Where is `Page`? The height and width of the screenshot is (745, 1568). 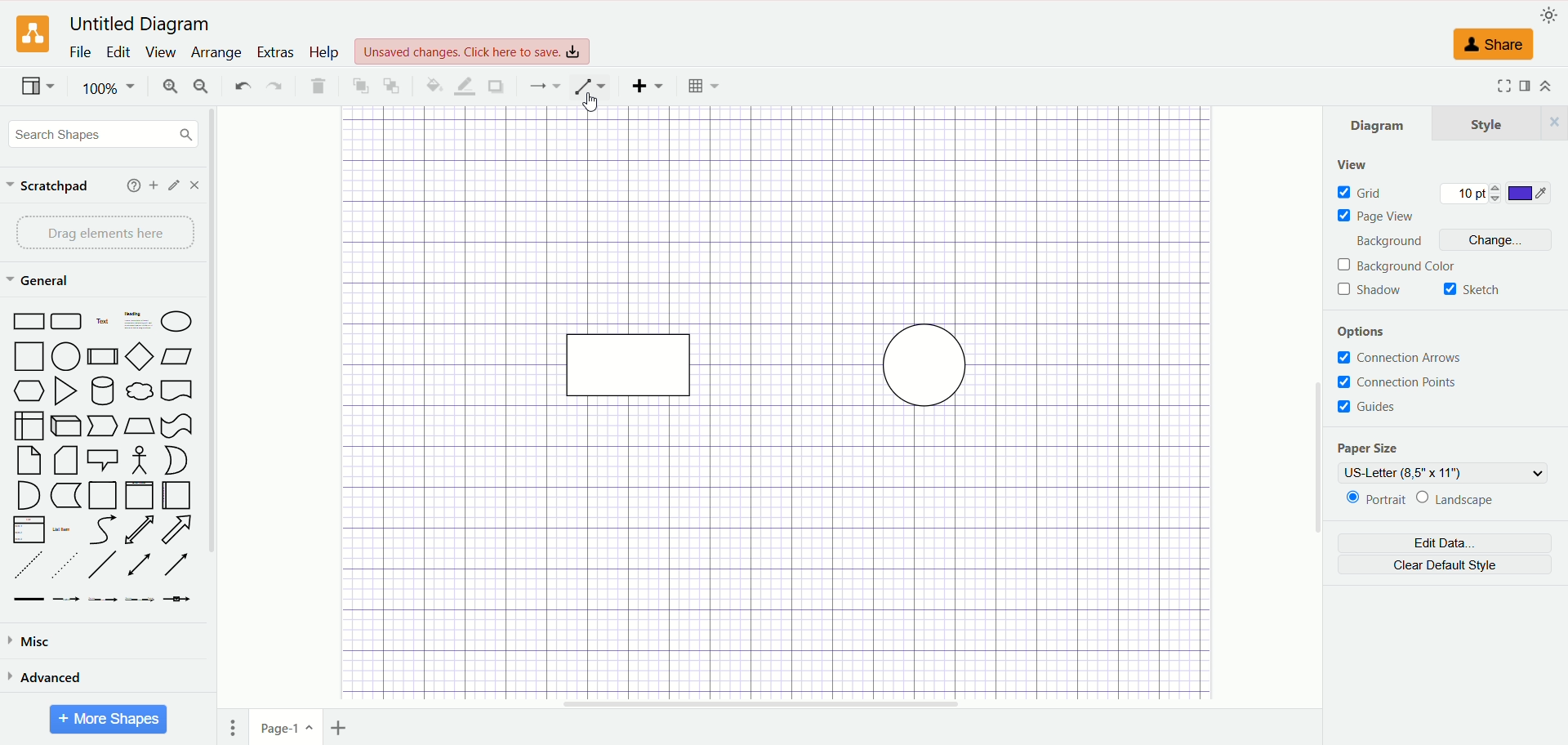
Page is located at coordinates (101, 495).